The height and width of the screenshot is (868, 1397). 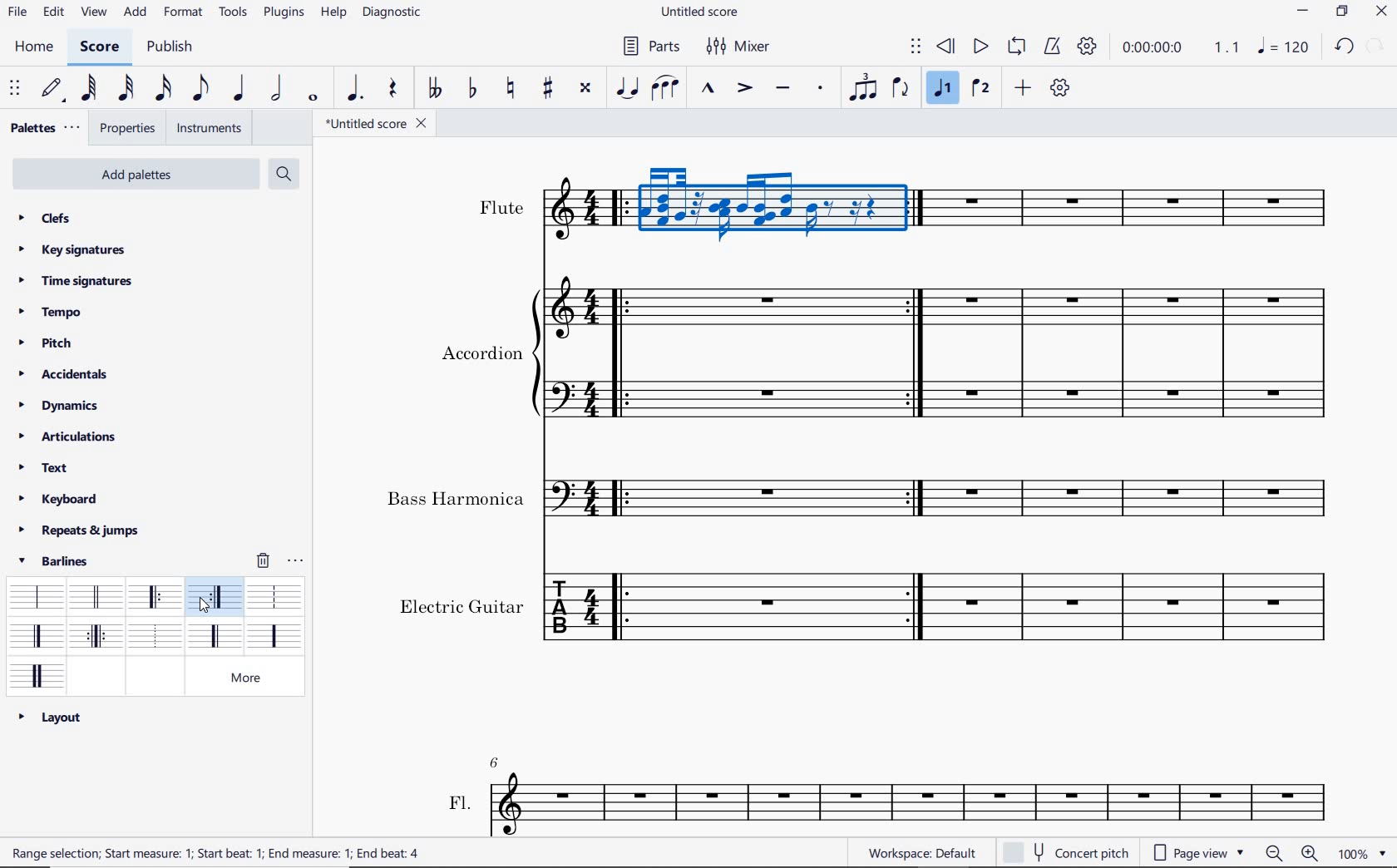 What do you see at coordinates (69, 373) in the screenshot?
I see `accidentals` at bounding box center [69, 373].